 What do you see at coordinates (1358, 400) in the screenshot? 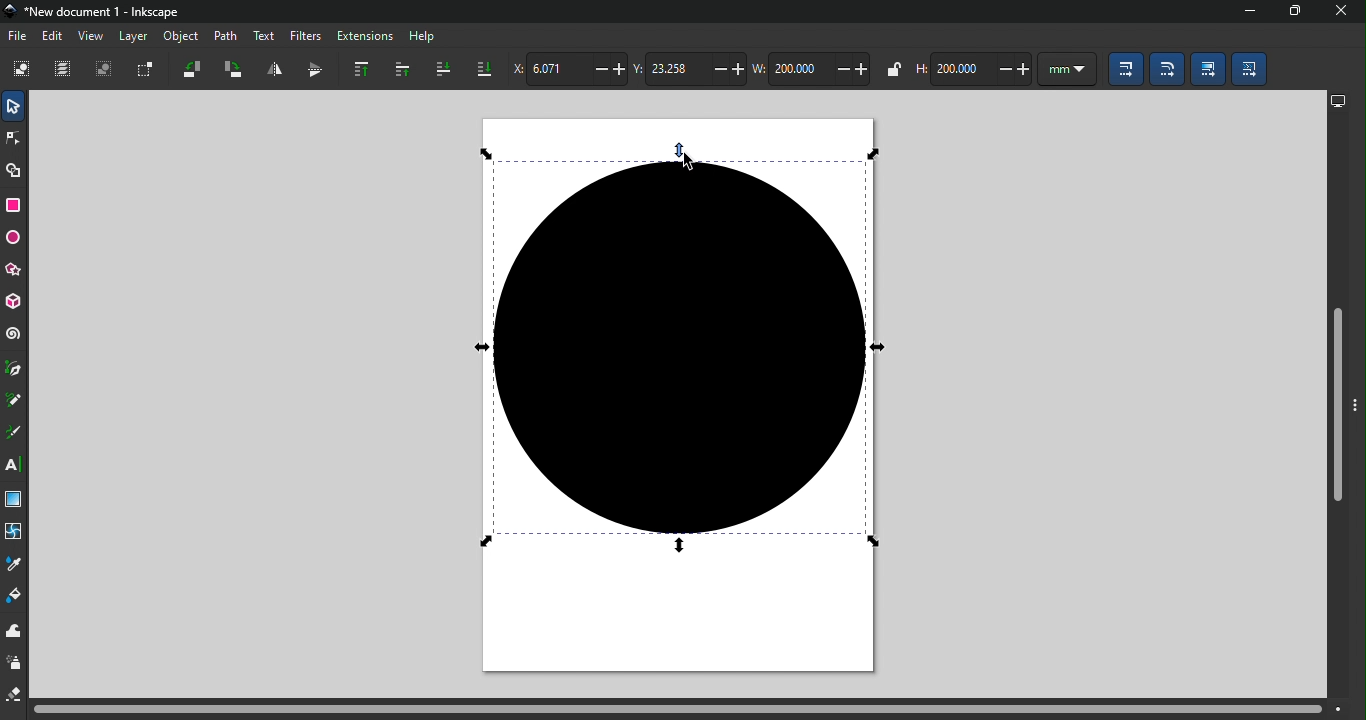
I see `Toggle command bar` at bounding box center [1358, 400].